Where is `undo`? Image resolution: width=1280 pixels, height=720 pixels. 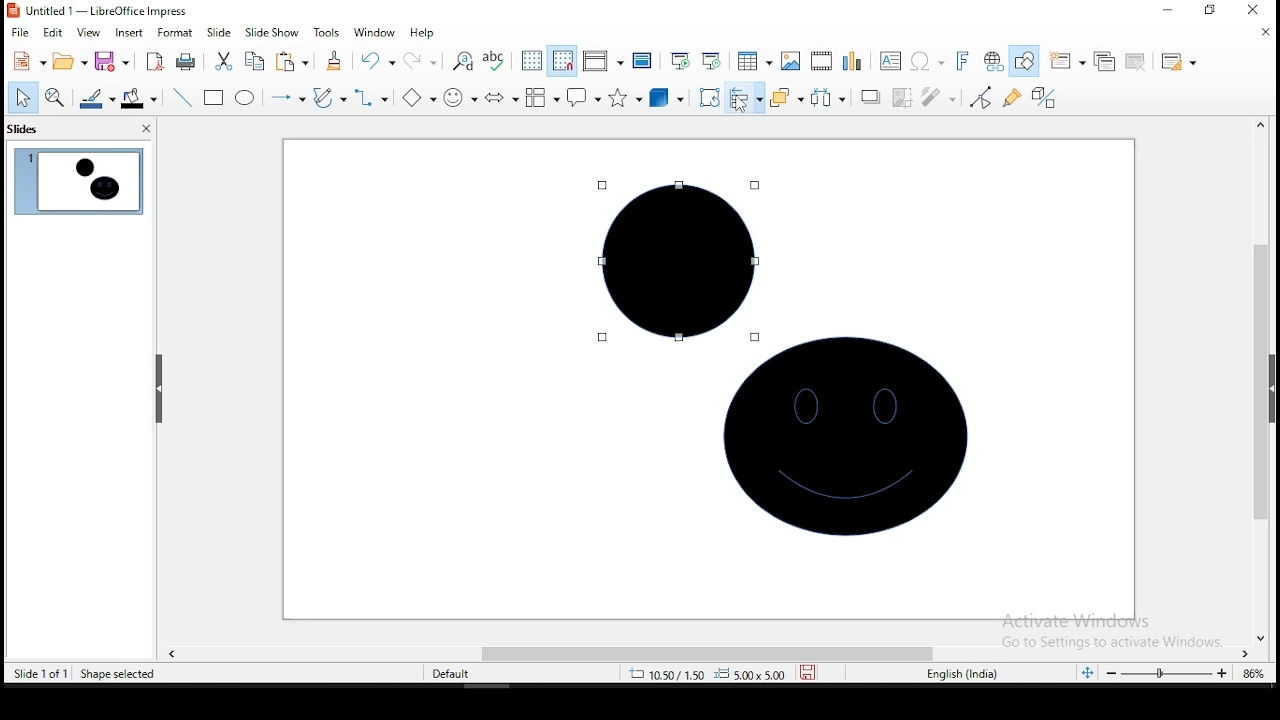
undo is located at coordinates (377, 61).